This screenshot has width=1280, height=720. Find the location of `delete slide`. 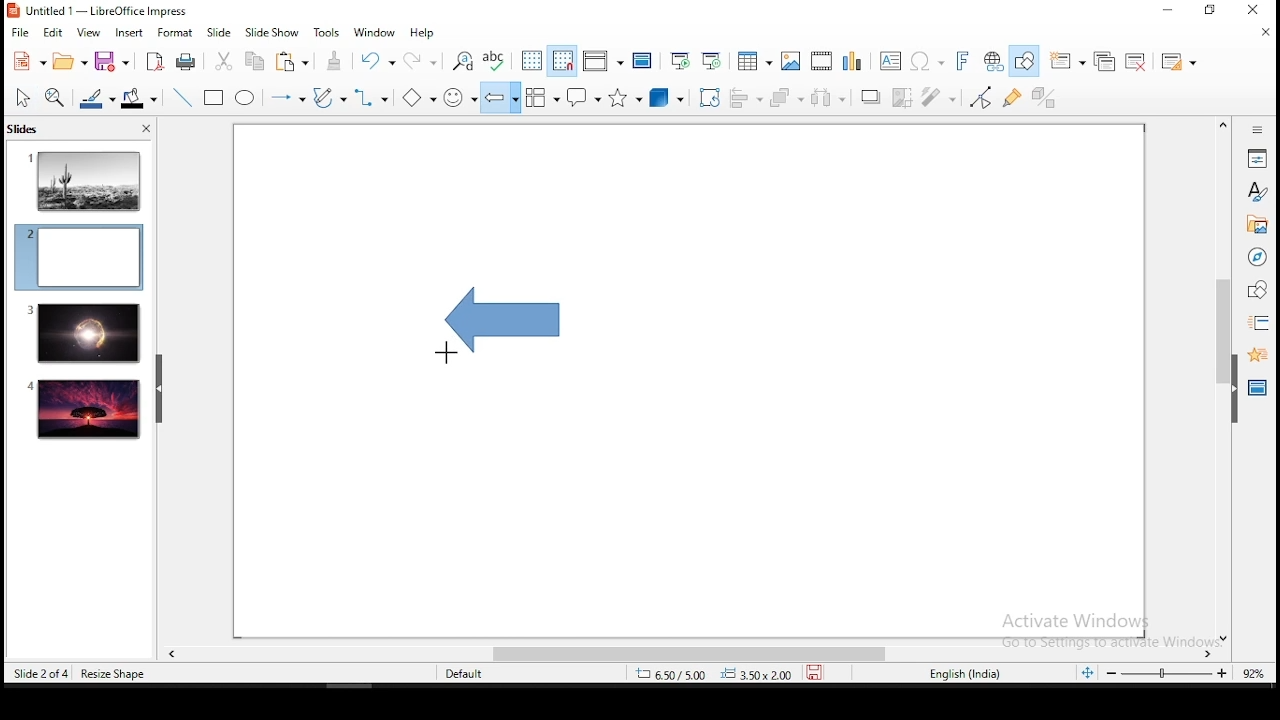

delete slide is located at coordinates (1137, 62).